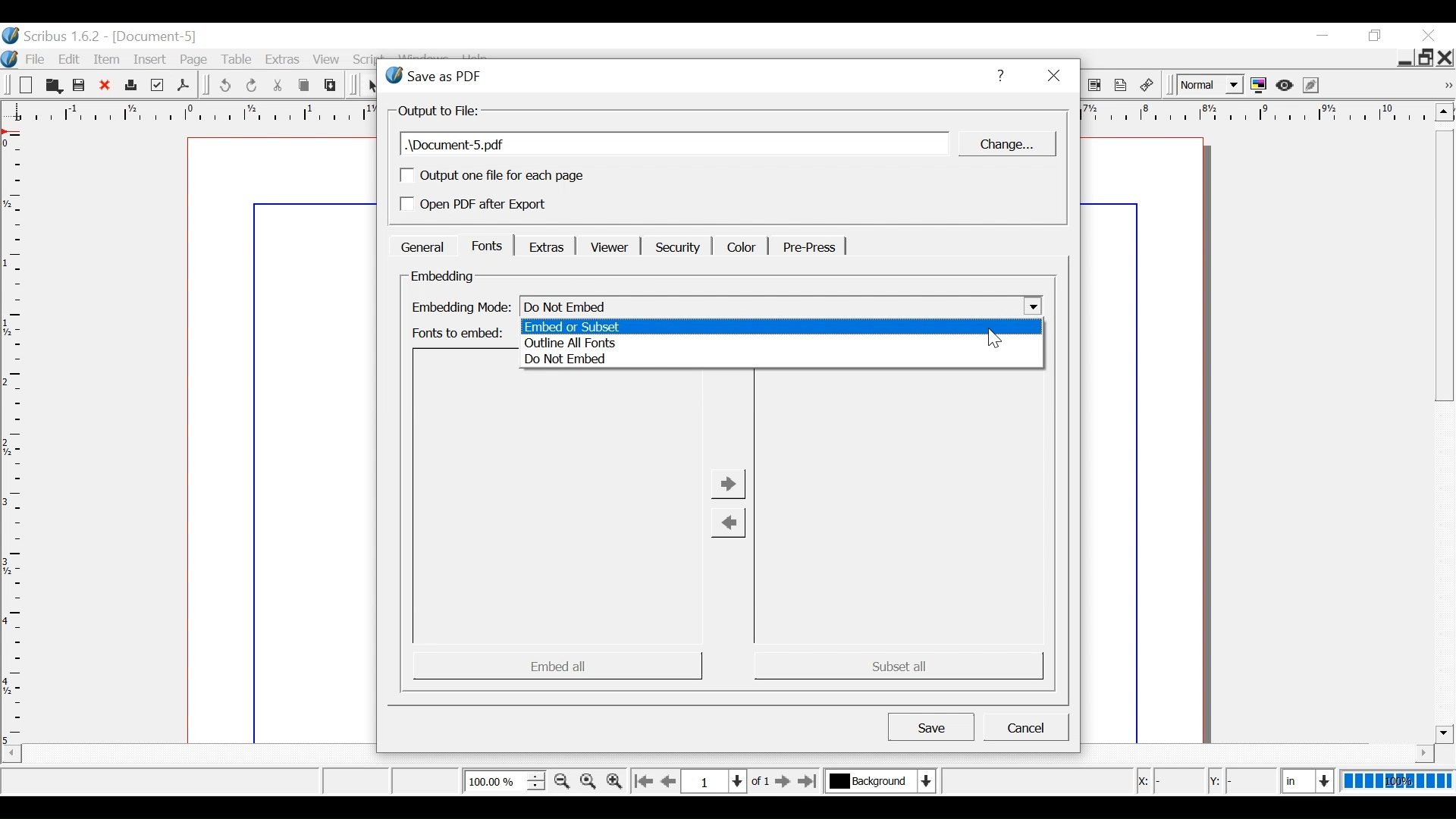 The width and height of the screenshot is (1456, 819). I want to click on Save, so click(931, 726).